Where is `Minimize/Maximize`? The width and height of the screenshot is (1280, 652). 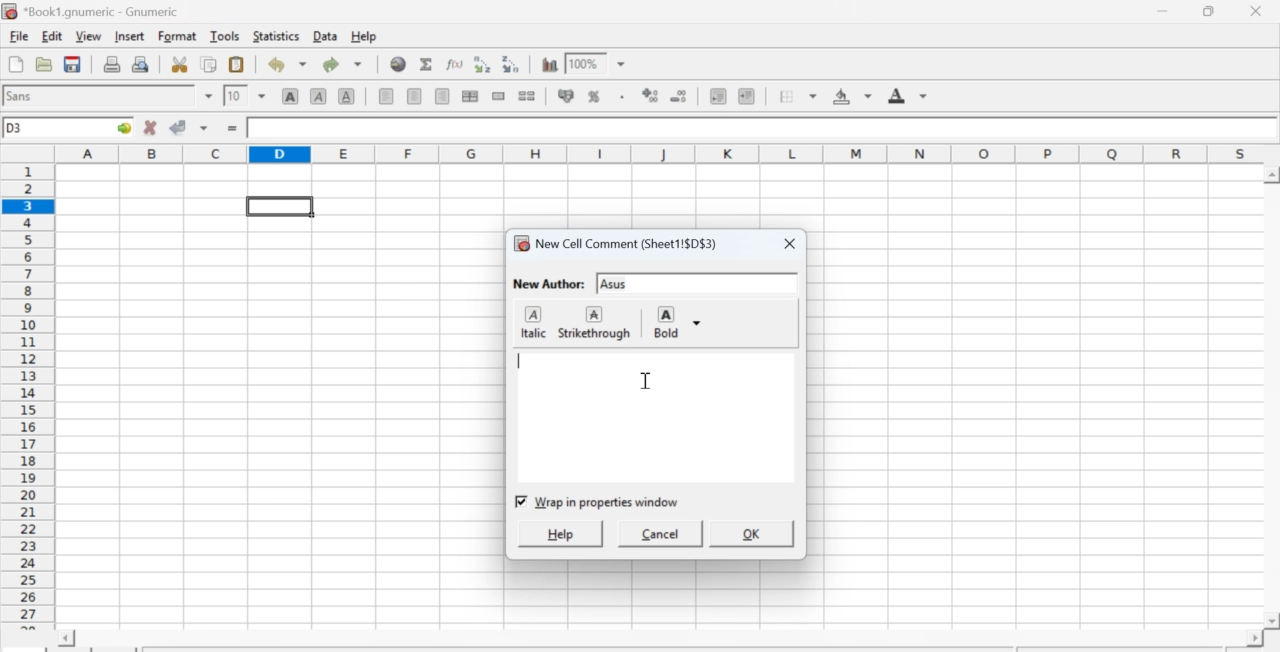
Minimize/Maximize is located at coordinates (1210, 12).